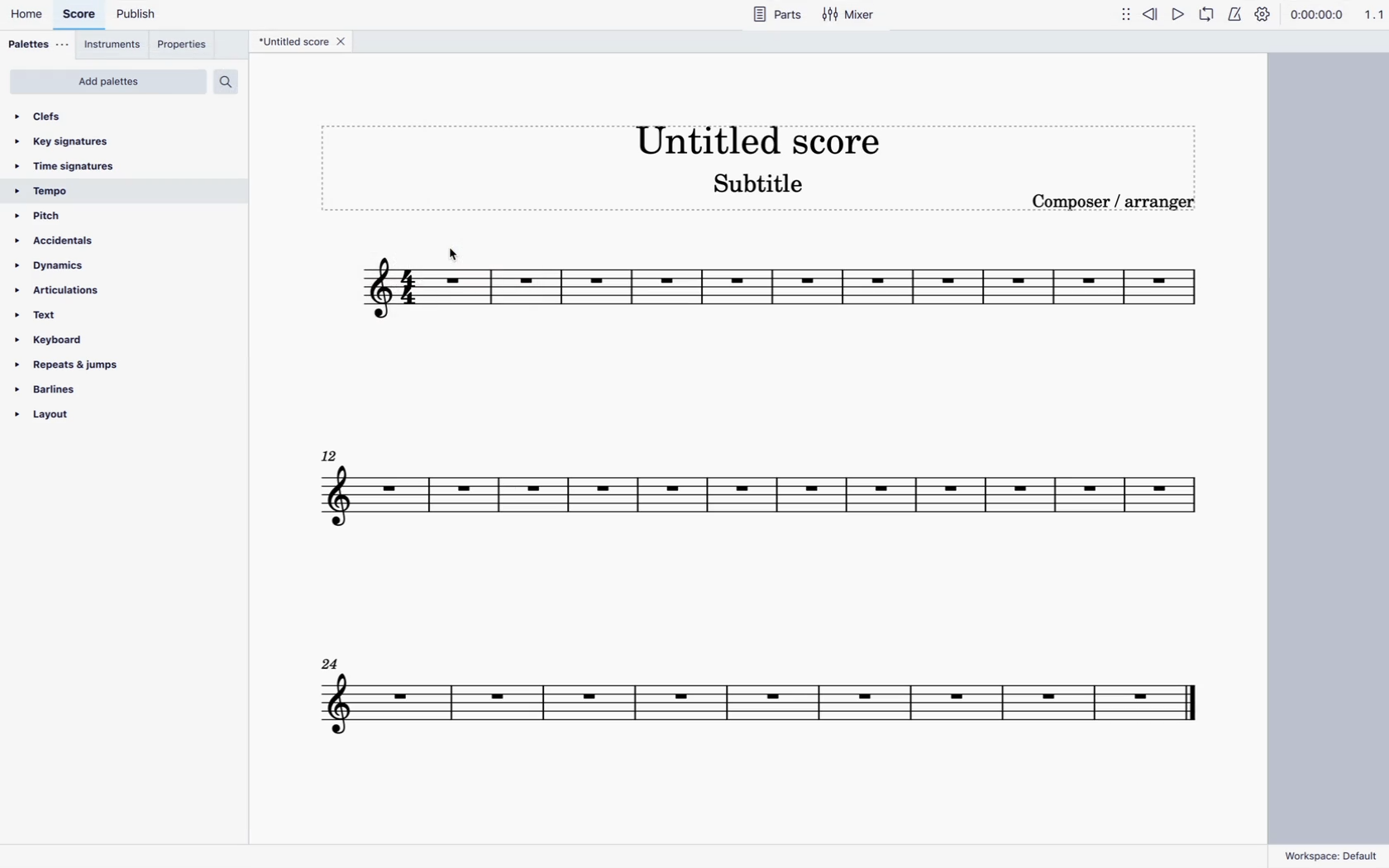 The width and height of the screenshot is (1389, 868). I want to click on barlines, so click(60, 389).